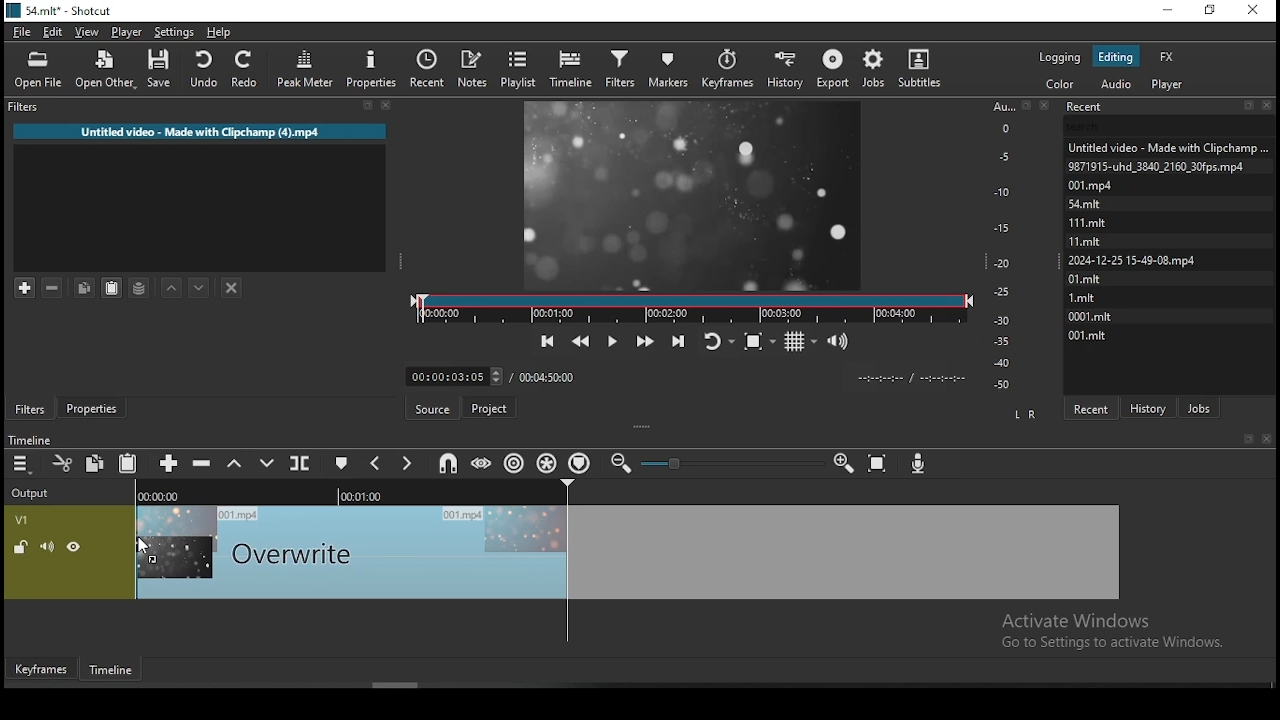 The height and width of the screenshot is (720, 1280). What do you see at coordinates (377, 465) in the screenshot?
I see `previous marker` at bounding box center [377, 465].